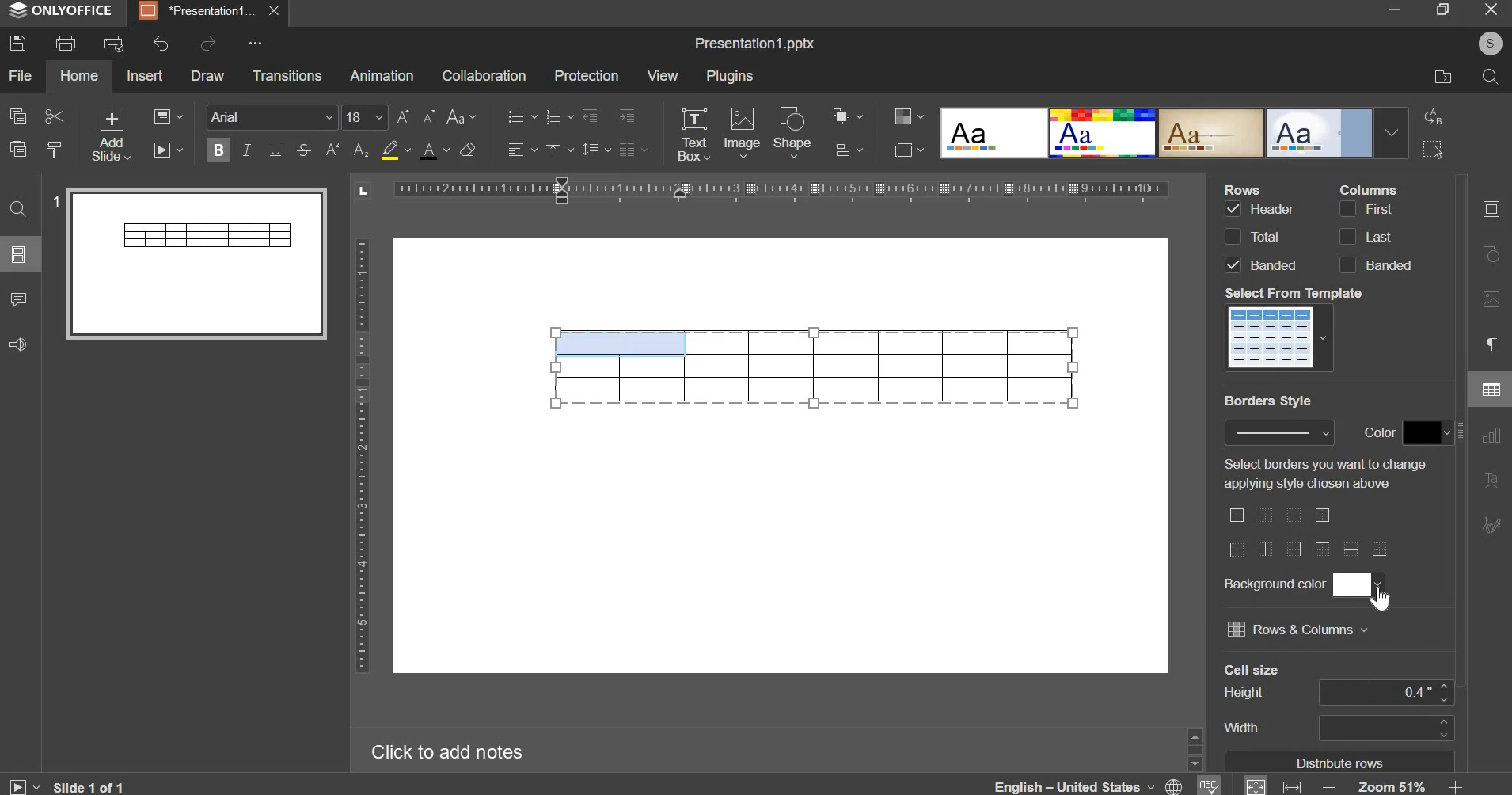  What do you see at coordinates (347, 149) in the screenshot?
I see `subscript & superscript` at bounding box center [347, 149].